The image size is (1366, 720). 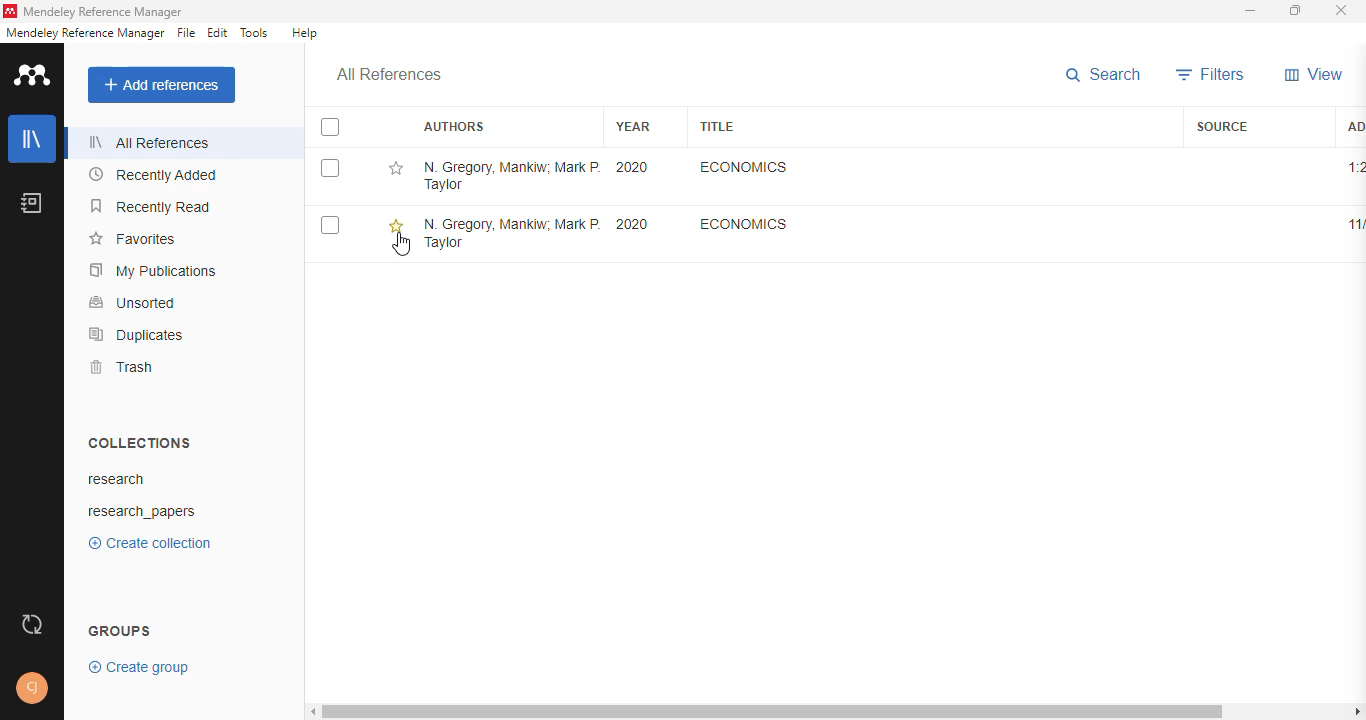 What do you see at coordinates (137, 334) in the screenshot?
I see `duplicates` at bounding box center [137, 334].